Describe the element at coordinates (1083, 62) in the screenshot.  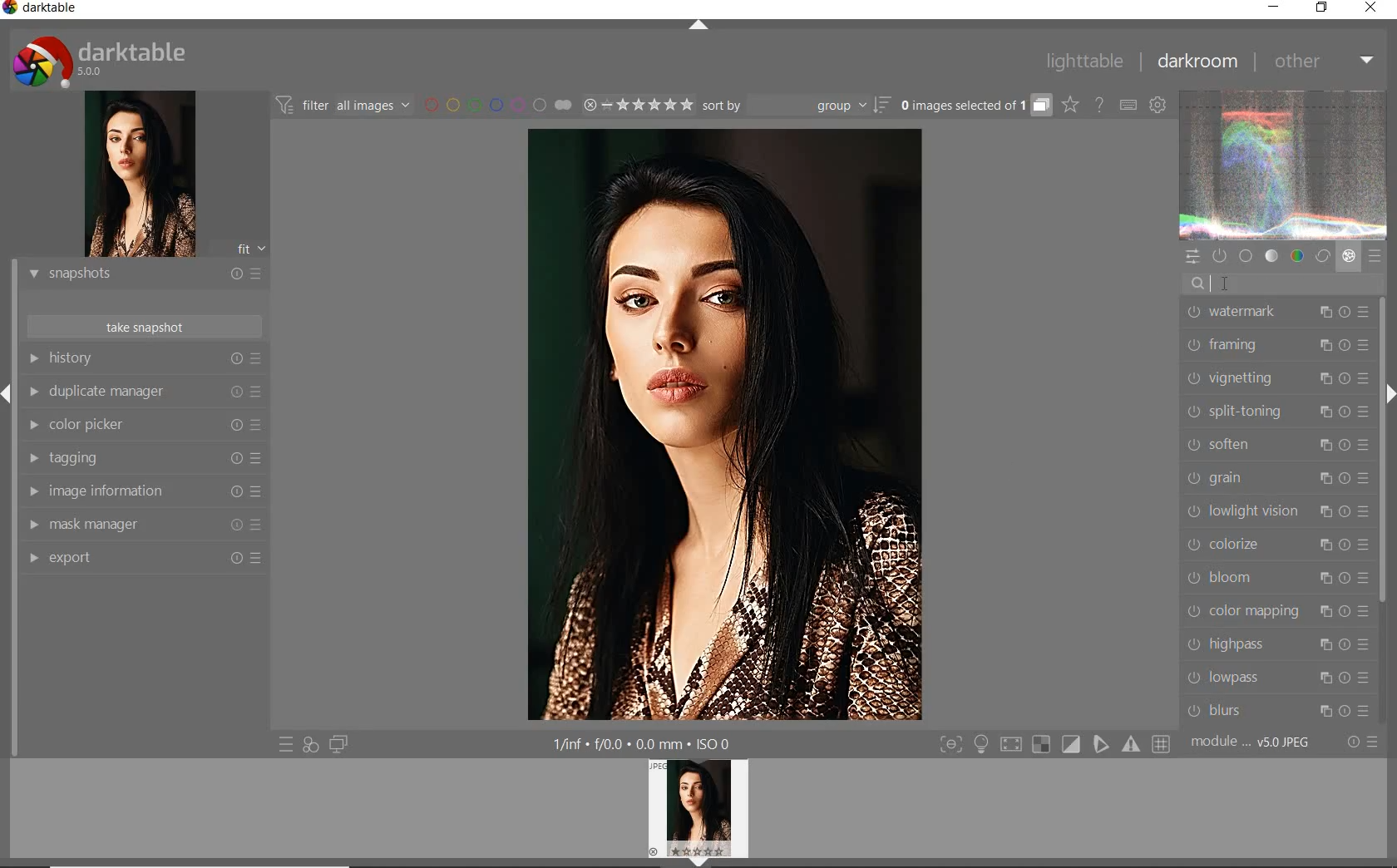
I see `LIGHTTABLE` at that location.